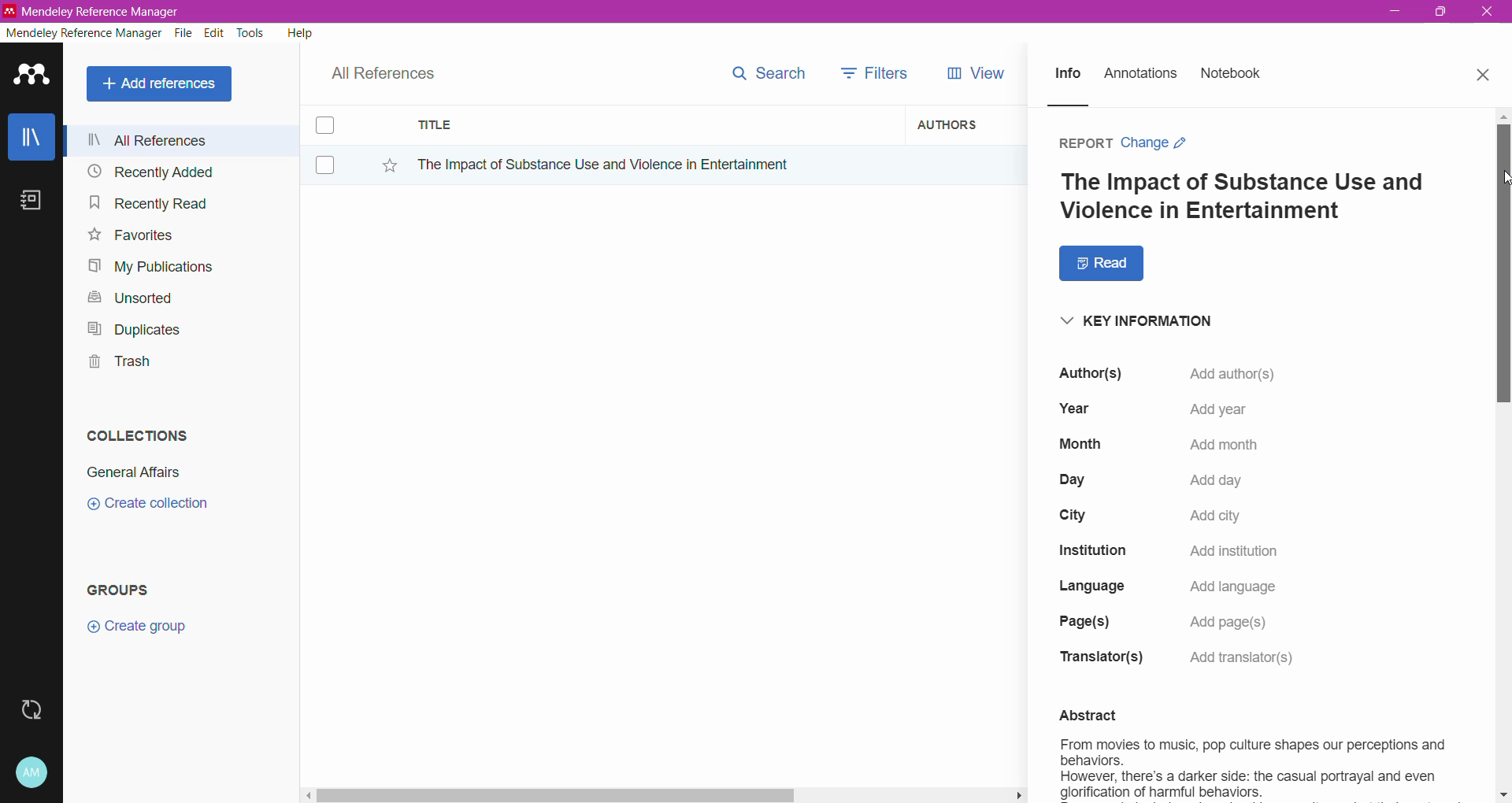 The height and width of the screenshot is (803, 1512). What do you see at coordinates (1183, 552) in the screenshot?
I see `institution` at bounding box center [1183, 552].